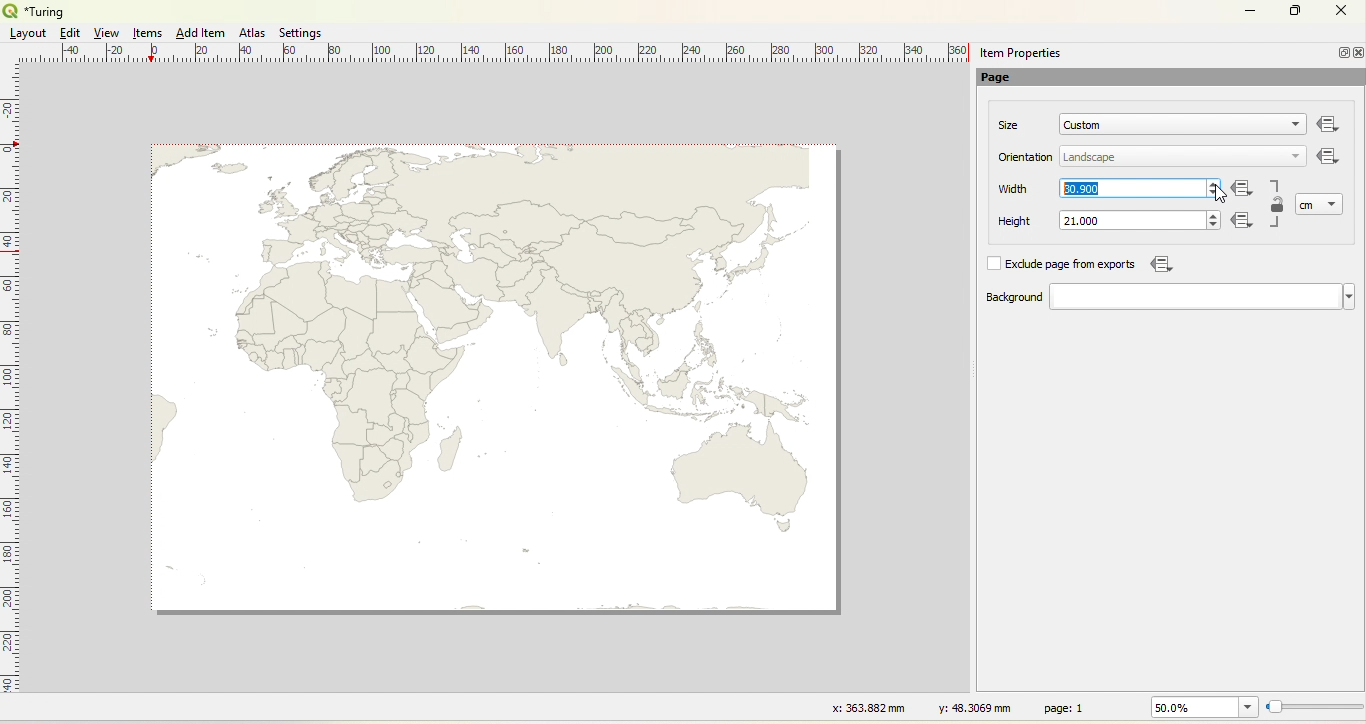  What do you see at coordinates (108, 33) in the screenshot?
I see `View` at bounding box center [108, 33].